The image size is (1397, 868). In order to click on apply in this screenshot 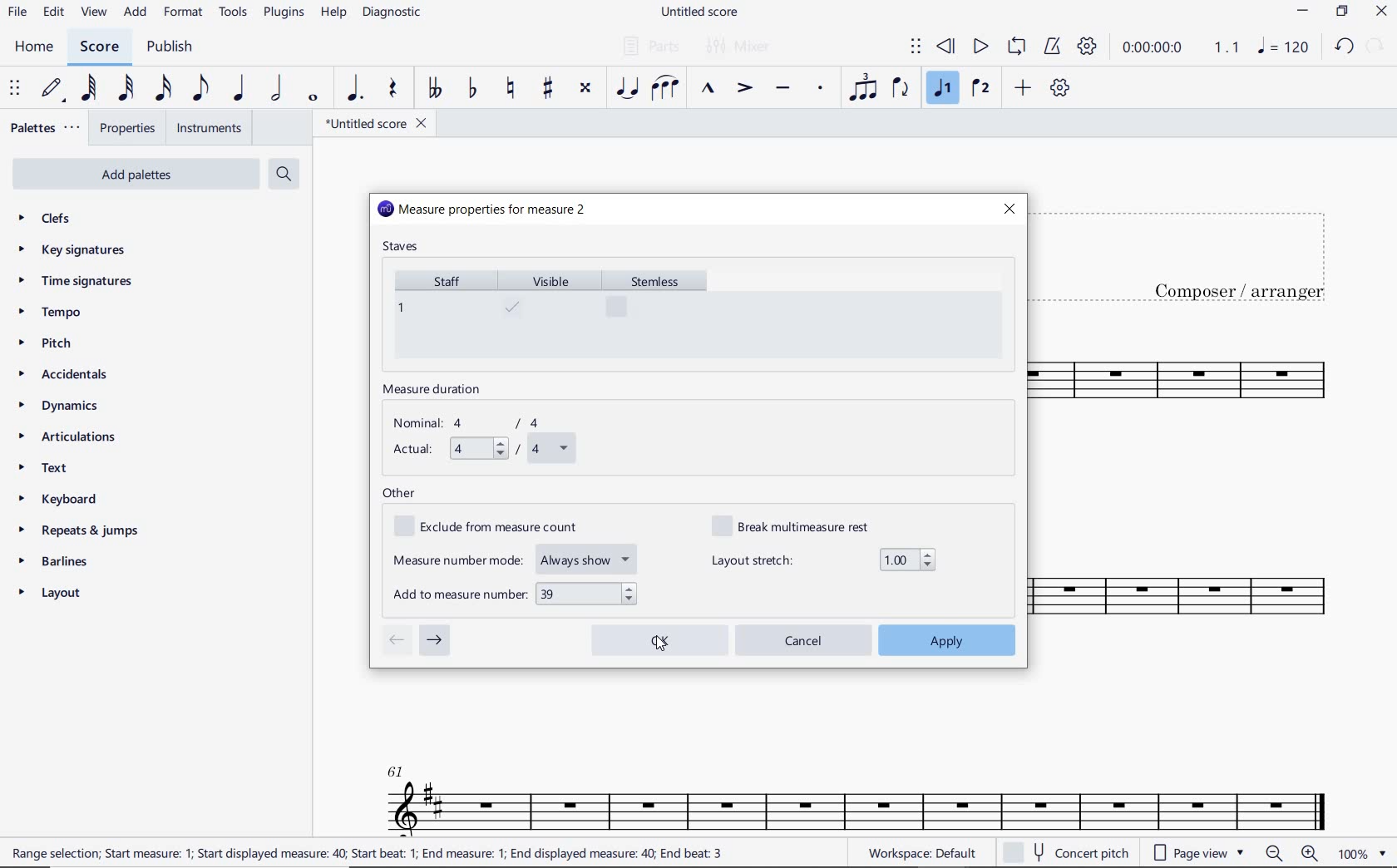, I will do `click(949, 640)`.